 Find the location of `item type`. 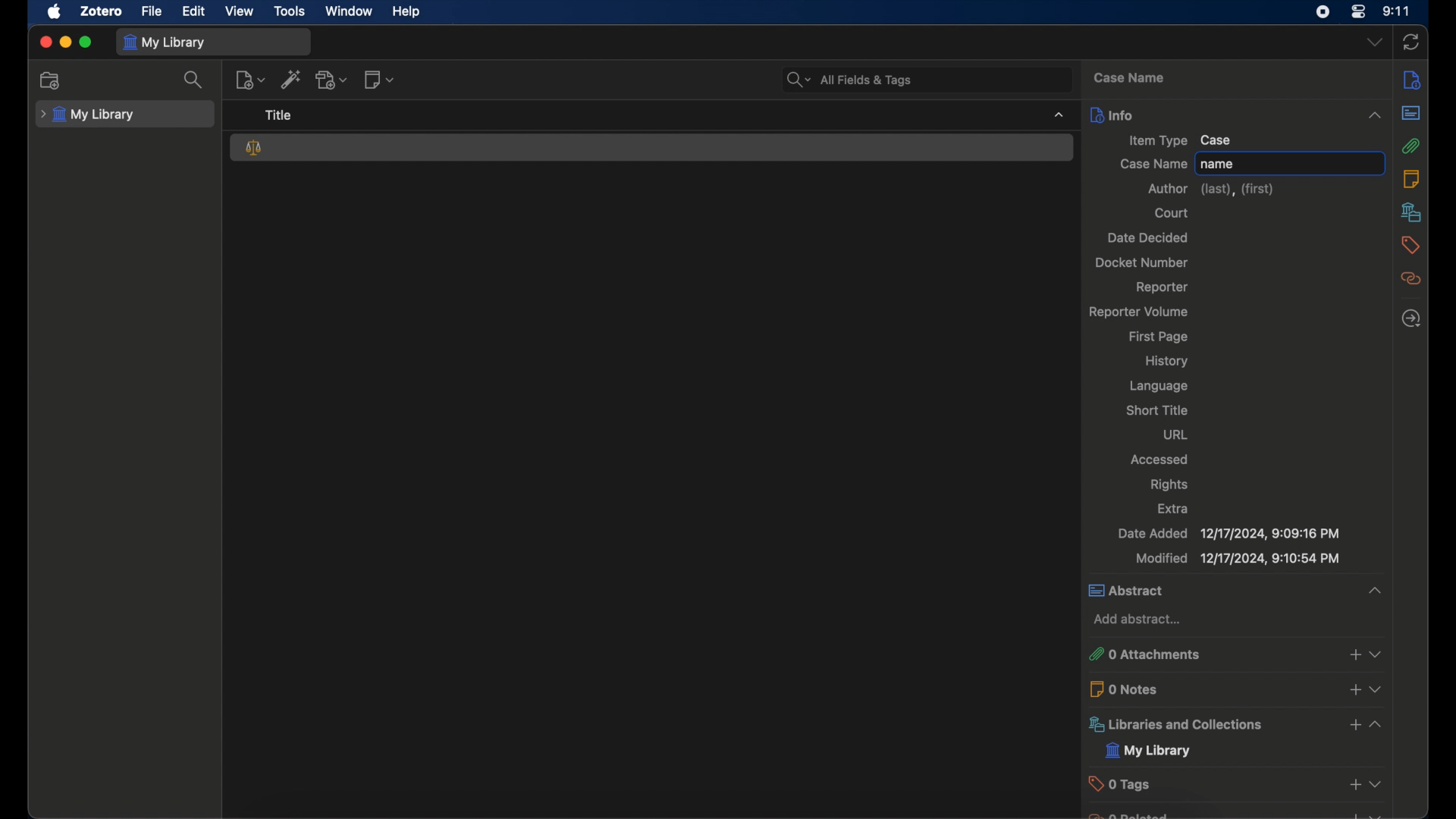

item type is located at coordinates (1178, 140).